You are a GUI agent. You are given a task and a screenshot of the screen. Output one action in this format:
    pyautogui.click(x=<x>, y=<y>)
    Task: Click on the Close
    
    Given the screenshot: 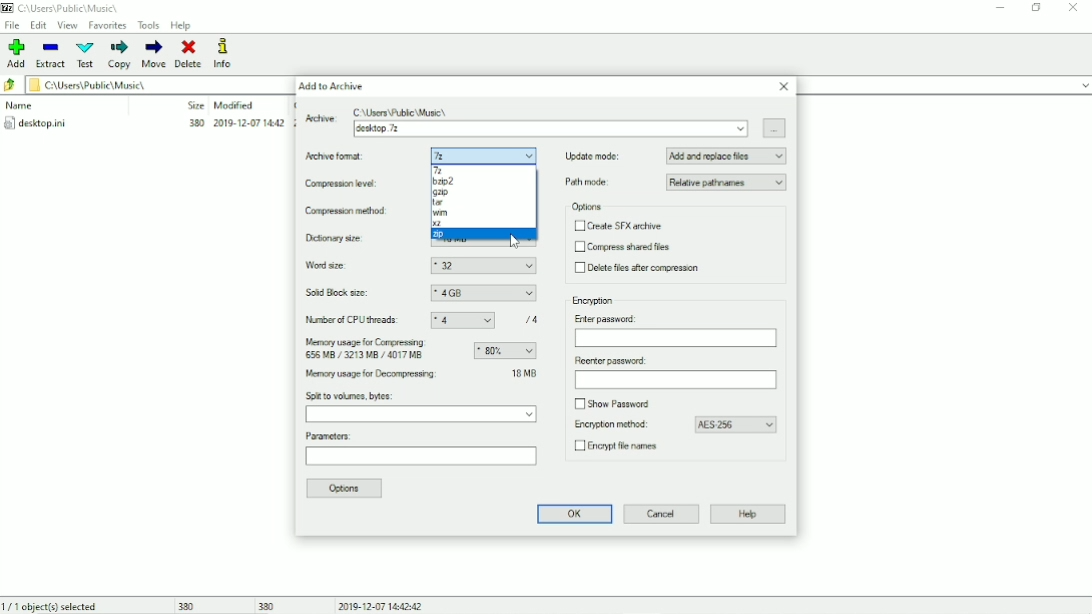 What is the action you would take?
    pyautogui.click(x=784, y=87)
    